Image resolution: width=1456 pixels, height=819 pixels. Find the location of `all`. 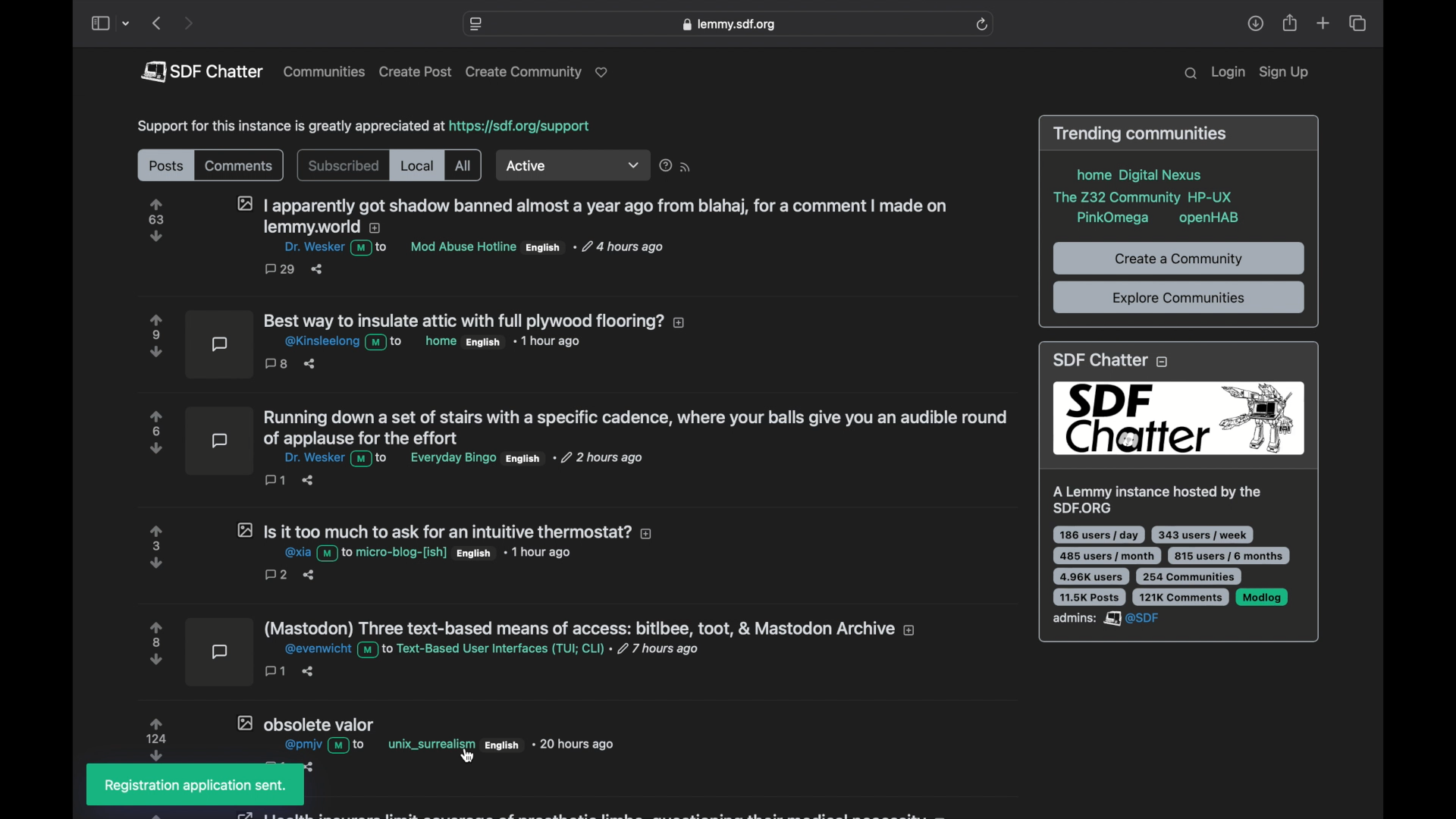

all is located at coordinates (463, 166).